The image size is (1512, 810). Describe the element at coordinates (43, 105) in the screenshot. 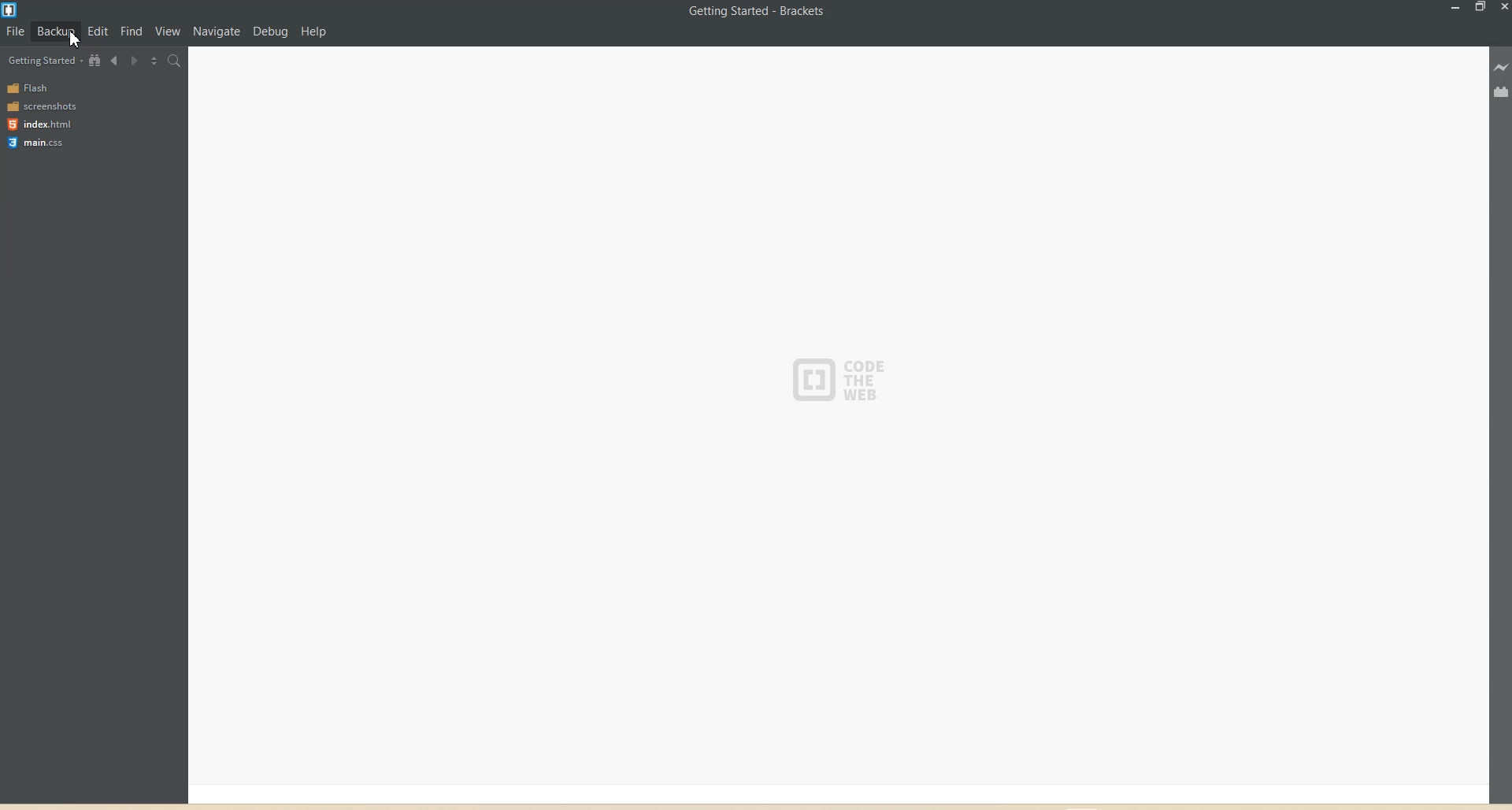

I see `screenshots` at that location.